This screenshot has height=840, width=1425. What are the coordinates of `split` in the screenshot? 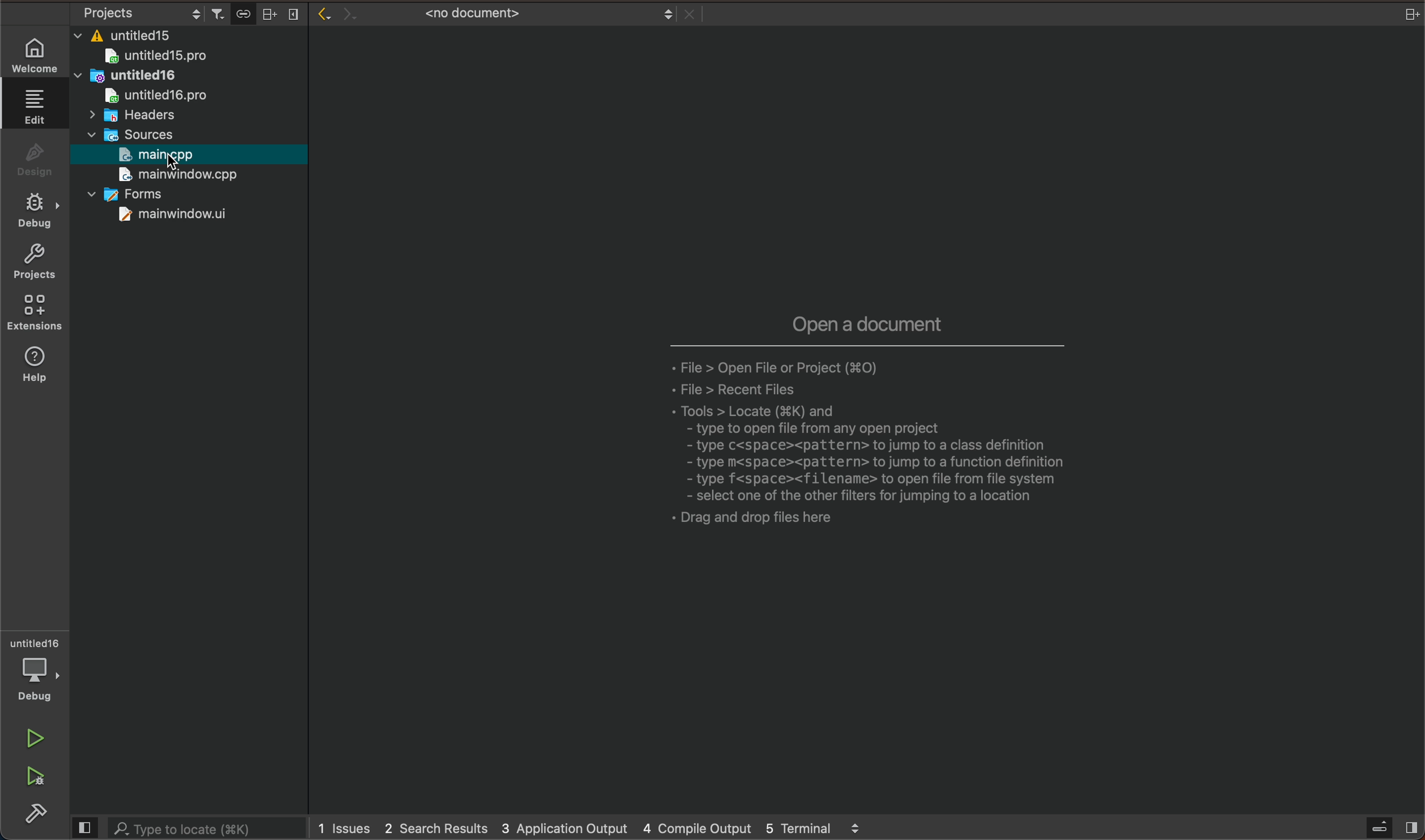 It's located at (270, 14).